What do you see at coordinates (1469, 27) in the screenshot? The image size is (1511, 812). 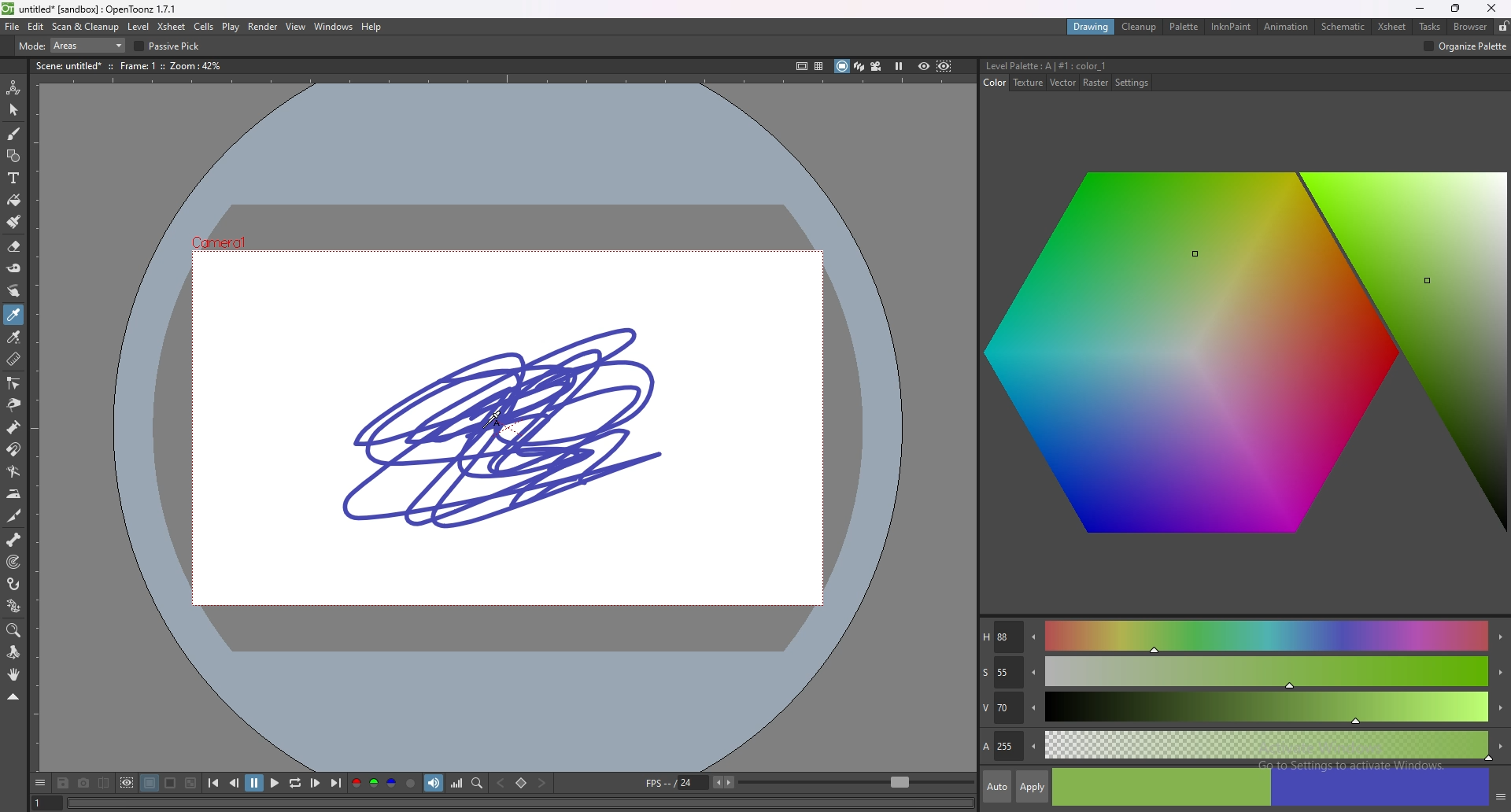 I see `browser` at bounding box center [1469, 27].